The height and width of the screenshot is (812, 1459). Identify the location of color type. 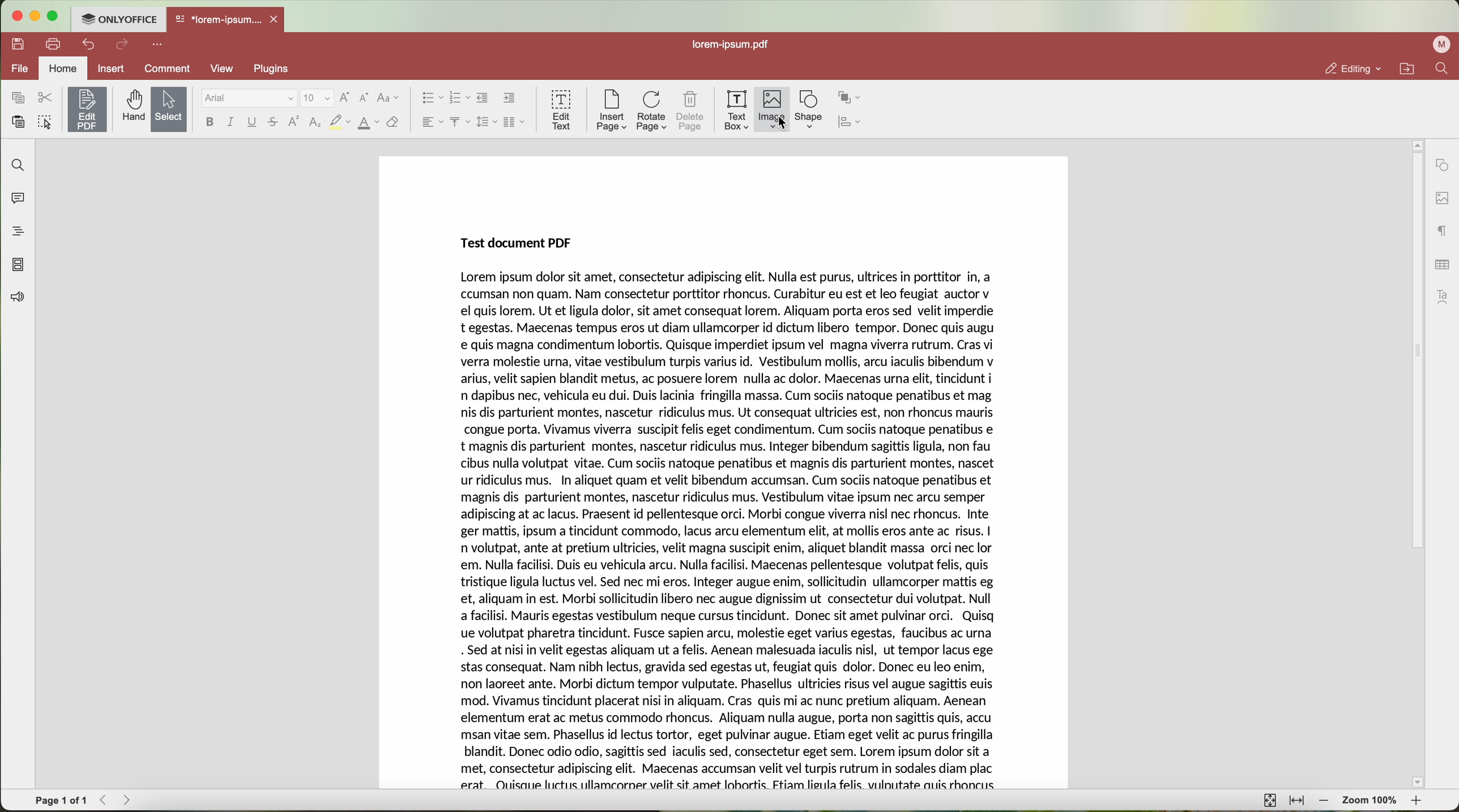
(369, 123).